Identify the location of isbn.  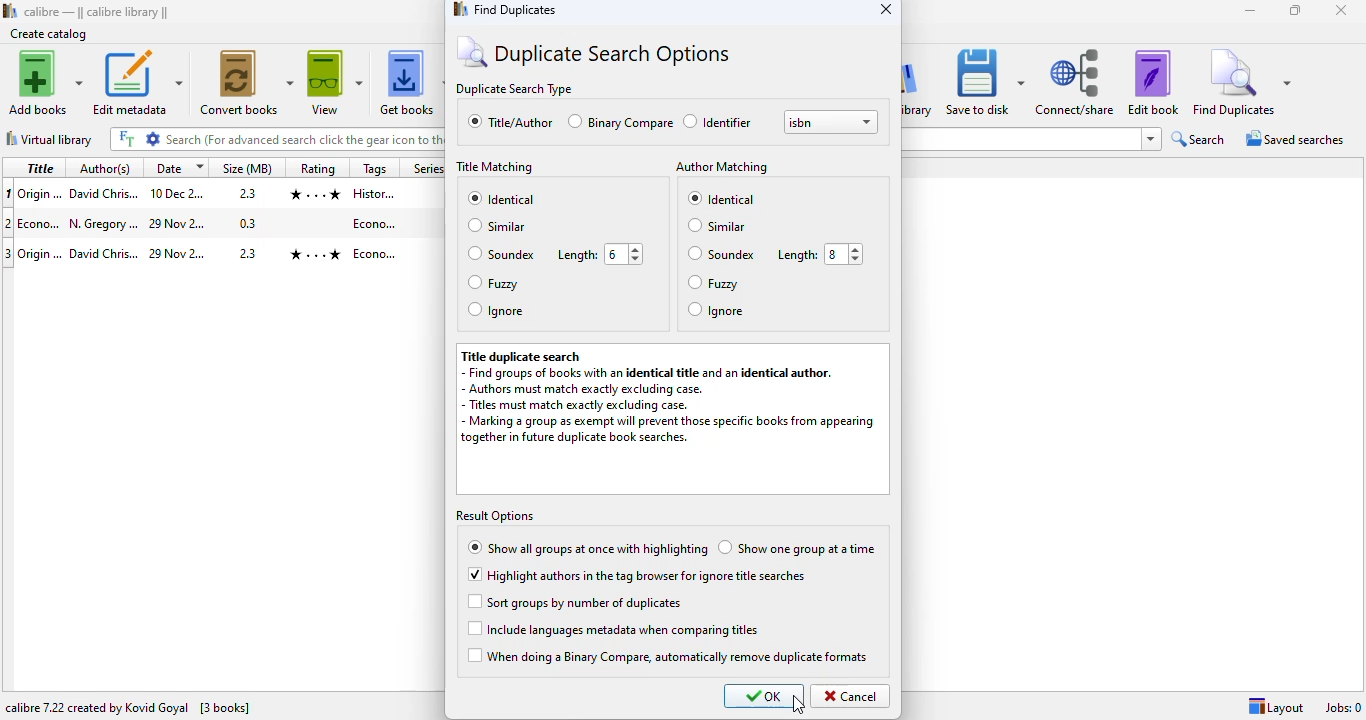
(831, 121).